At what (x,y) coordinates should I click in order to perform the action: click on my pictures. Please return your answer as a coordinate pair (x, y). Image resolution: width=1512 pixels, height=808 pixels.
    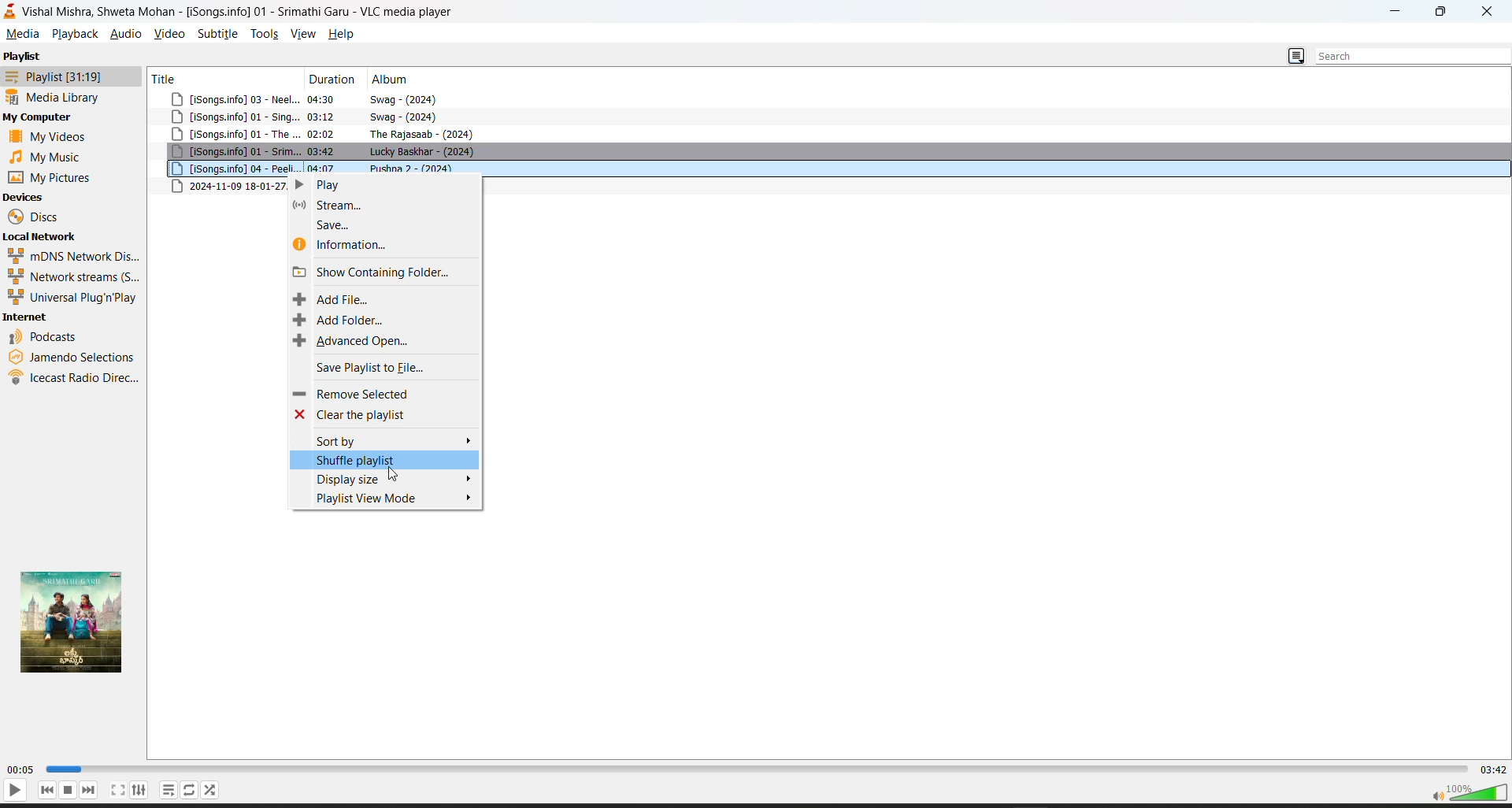
    Looking at the image, I should click on (51, 176).